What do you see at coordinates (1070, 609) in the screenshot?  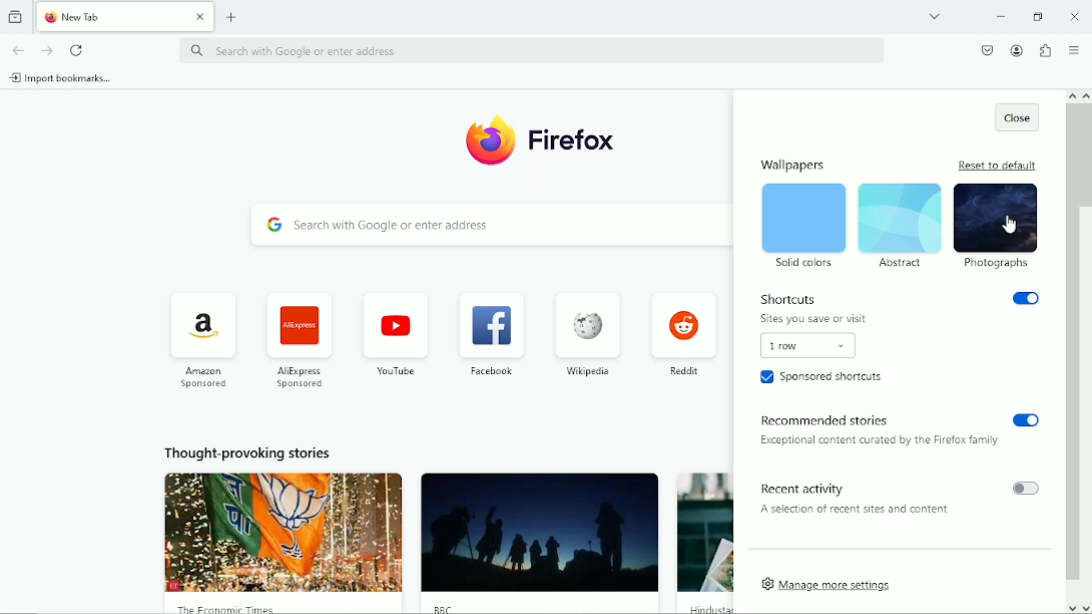 I see `scroll down` at bounding box center [1070, 609].